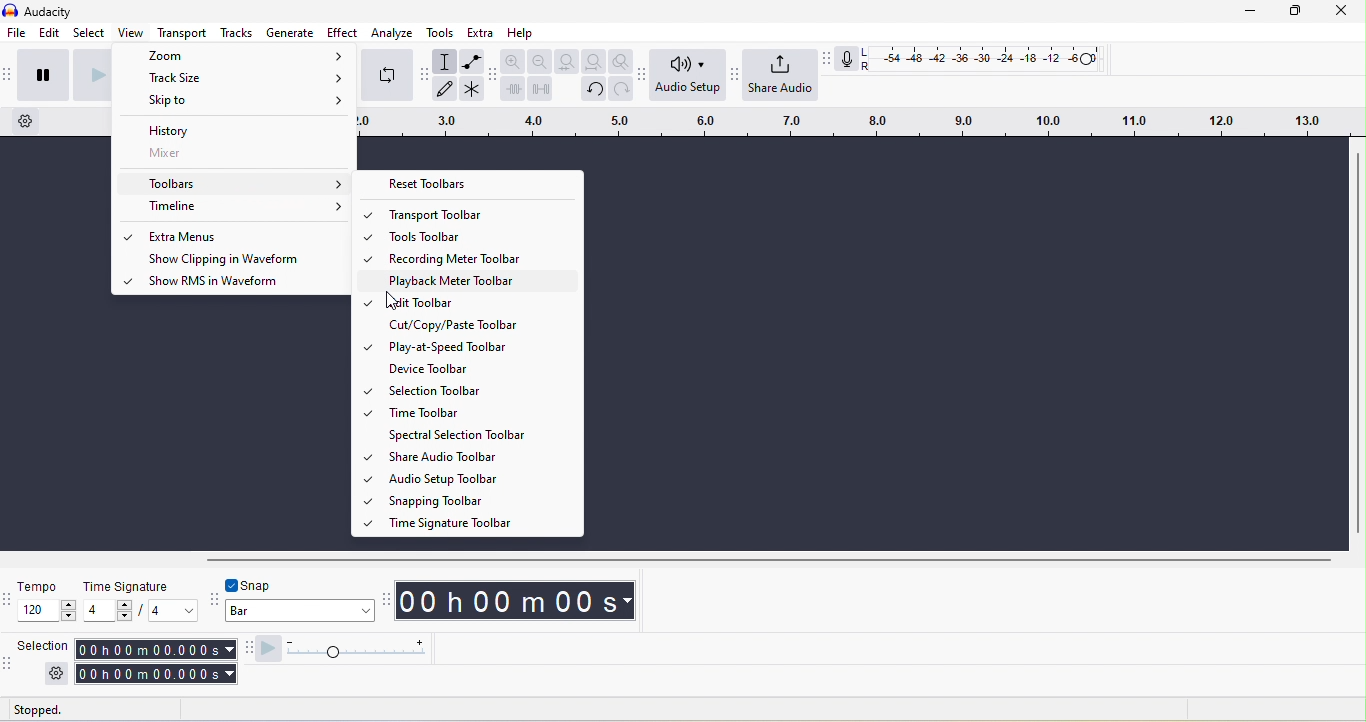 The width and height of the screenshot is (1366, 722). Describe the element at coordinates (8, 668) in the screenshot. I see `selection toolbar` at that location.